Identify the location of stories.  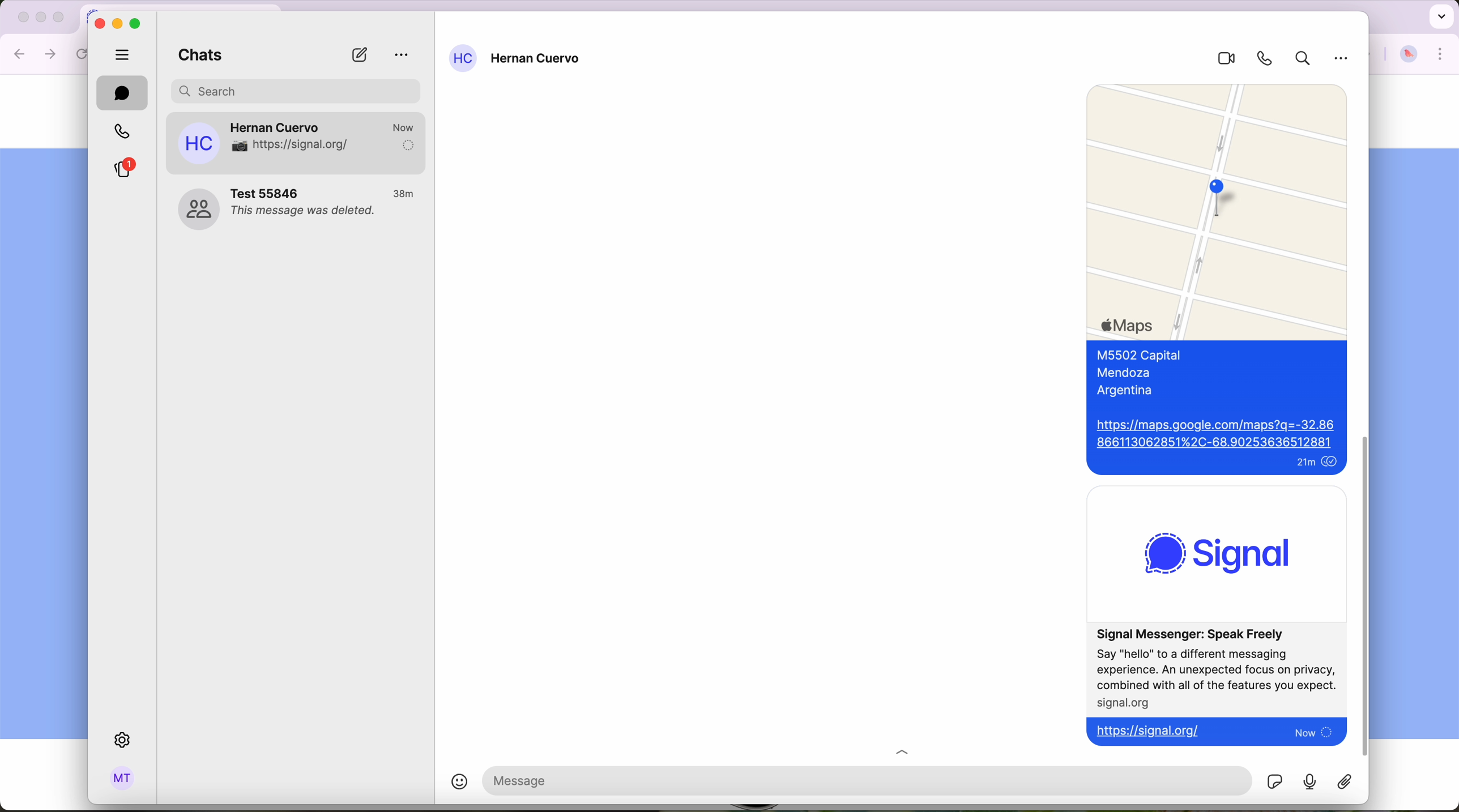
(122, 169).